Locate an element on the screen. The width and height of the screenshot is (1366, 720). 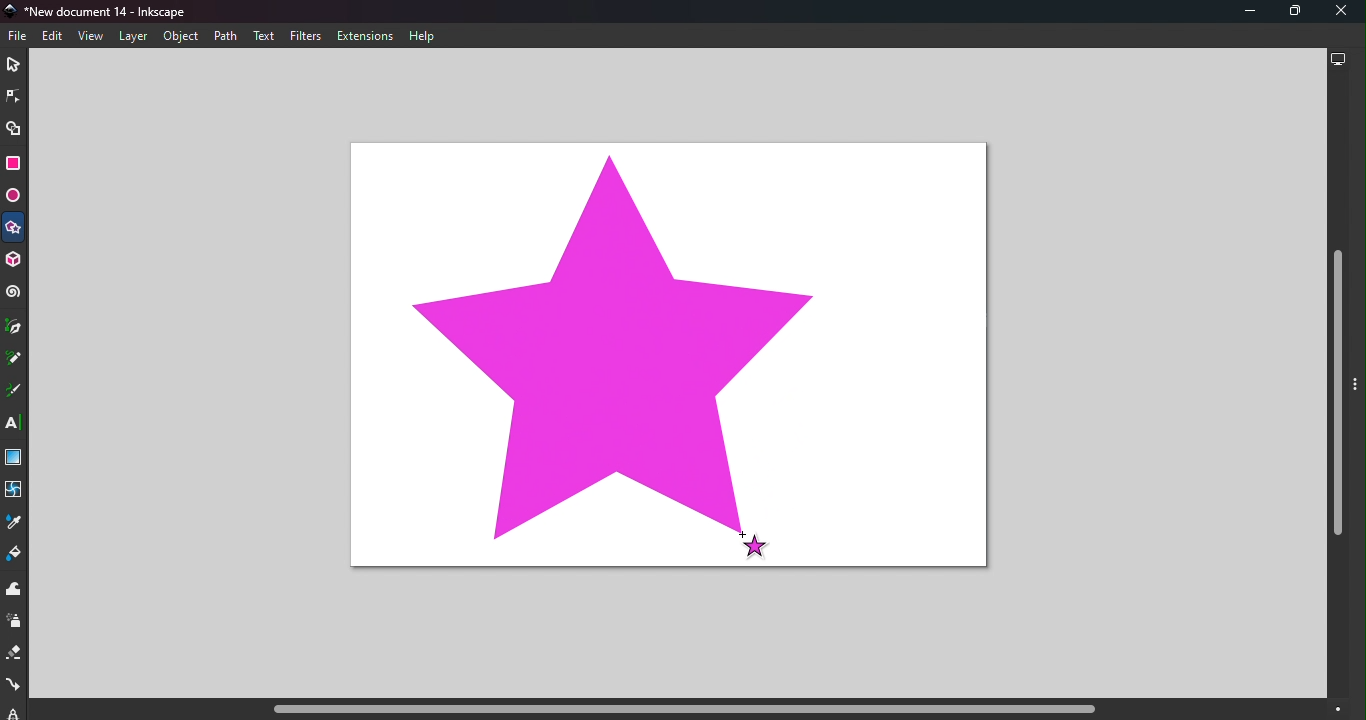
Maximize tool is located at coordinates (1290, 11).